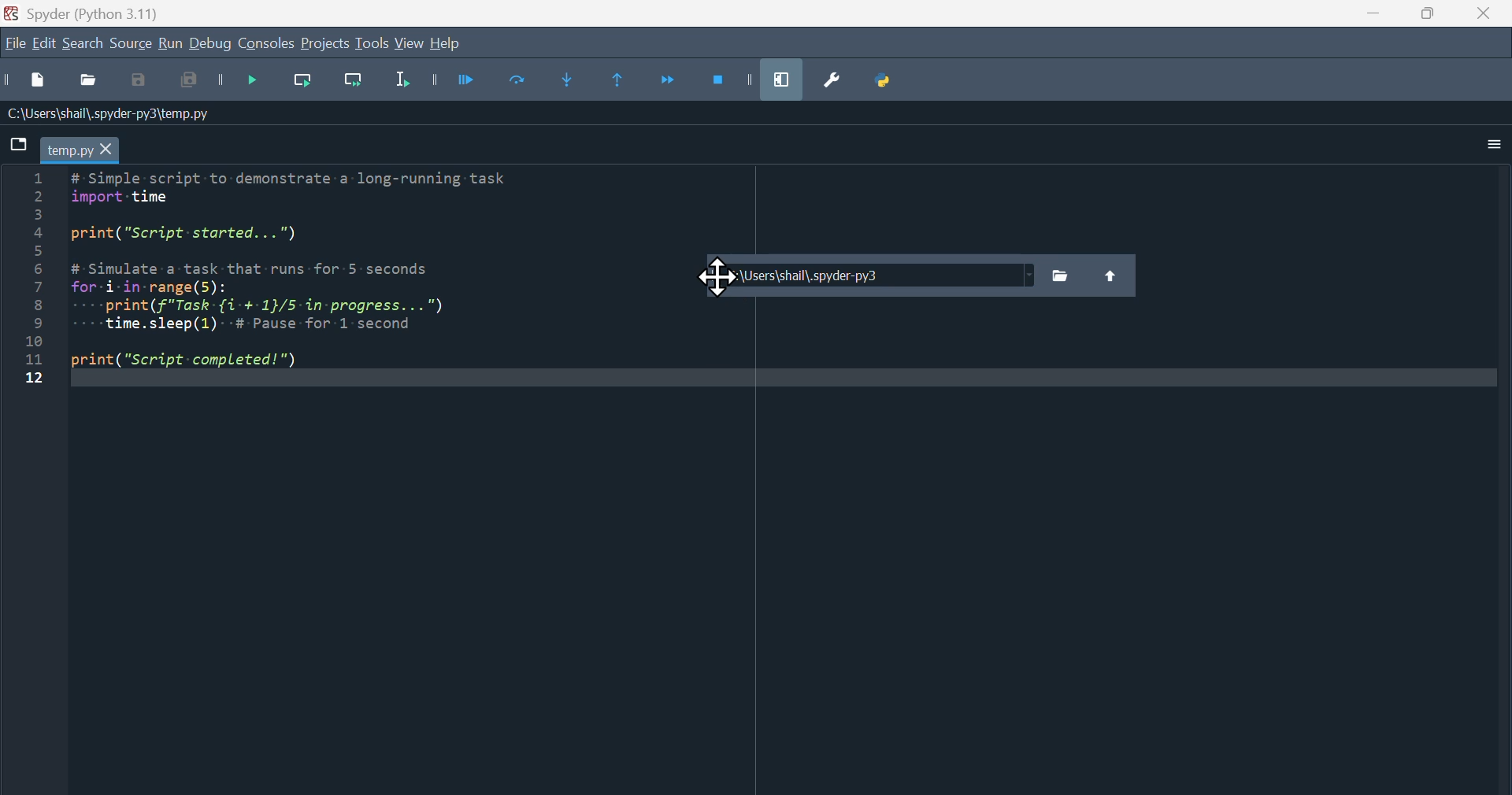 This screenshot has width=1512, height=795. I want to click on Run current cell, so click(528, 83).